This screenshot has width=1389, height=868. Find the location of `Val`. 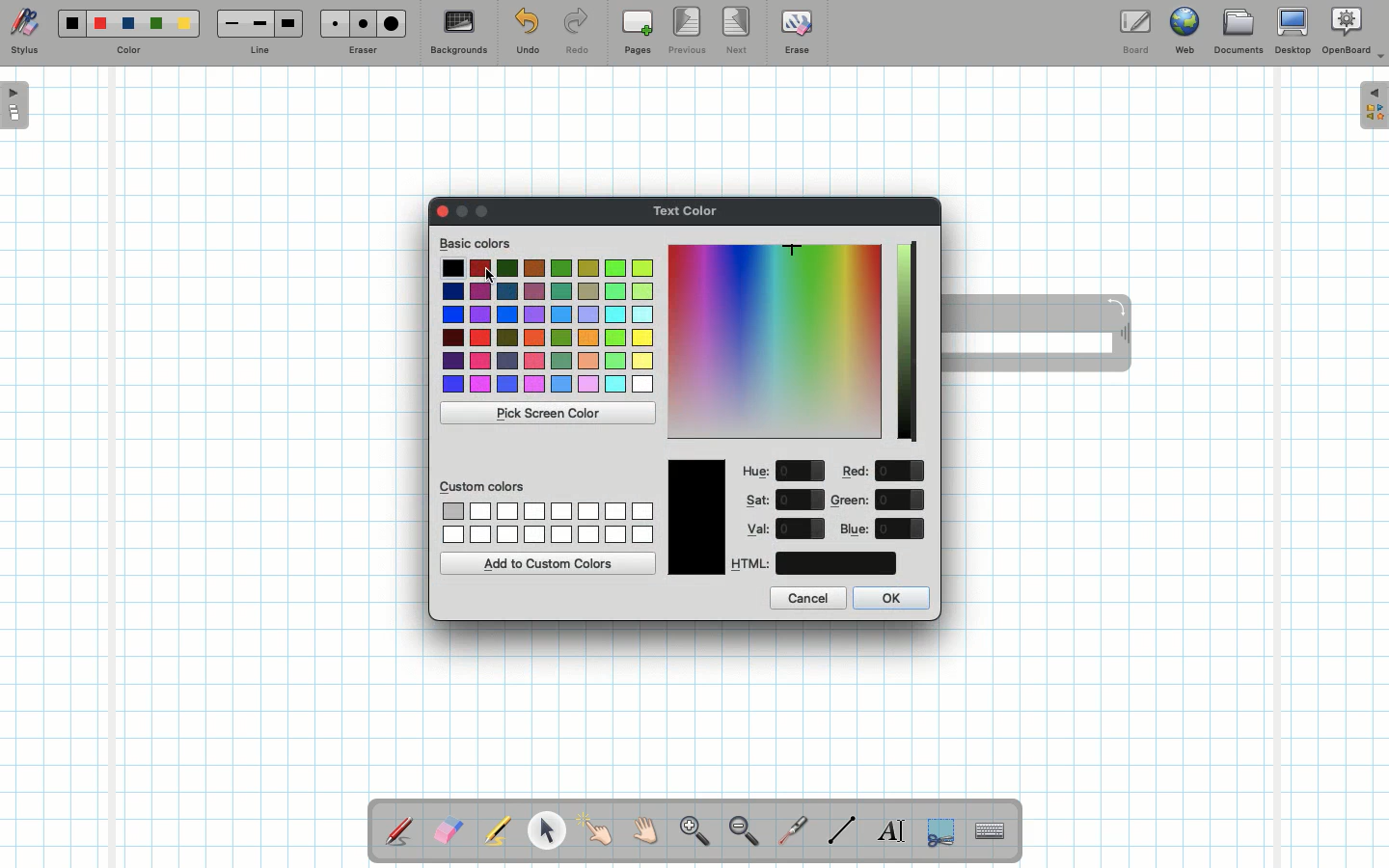

Val is located at coordinates (758, 529).